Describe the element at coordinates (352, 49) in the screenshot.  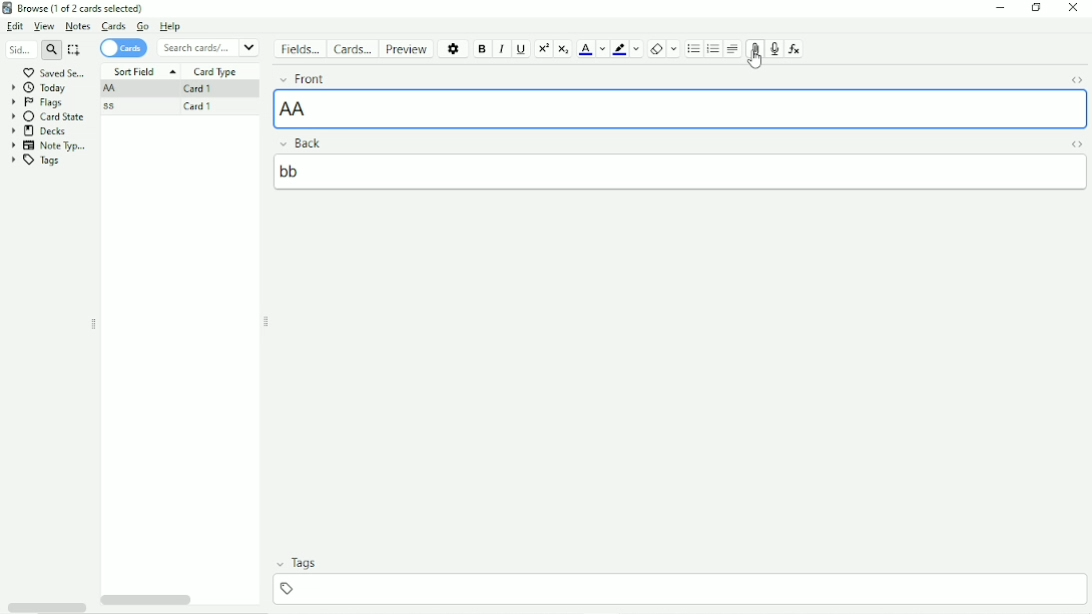
I see `Cards` at that location.